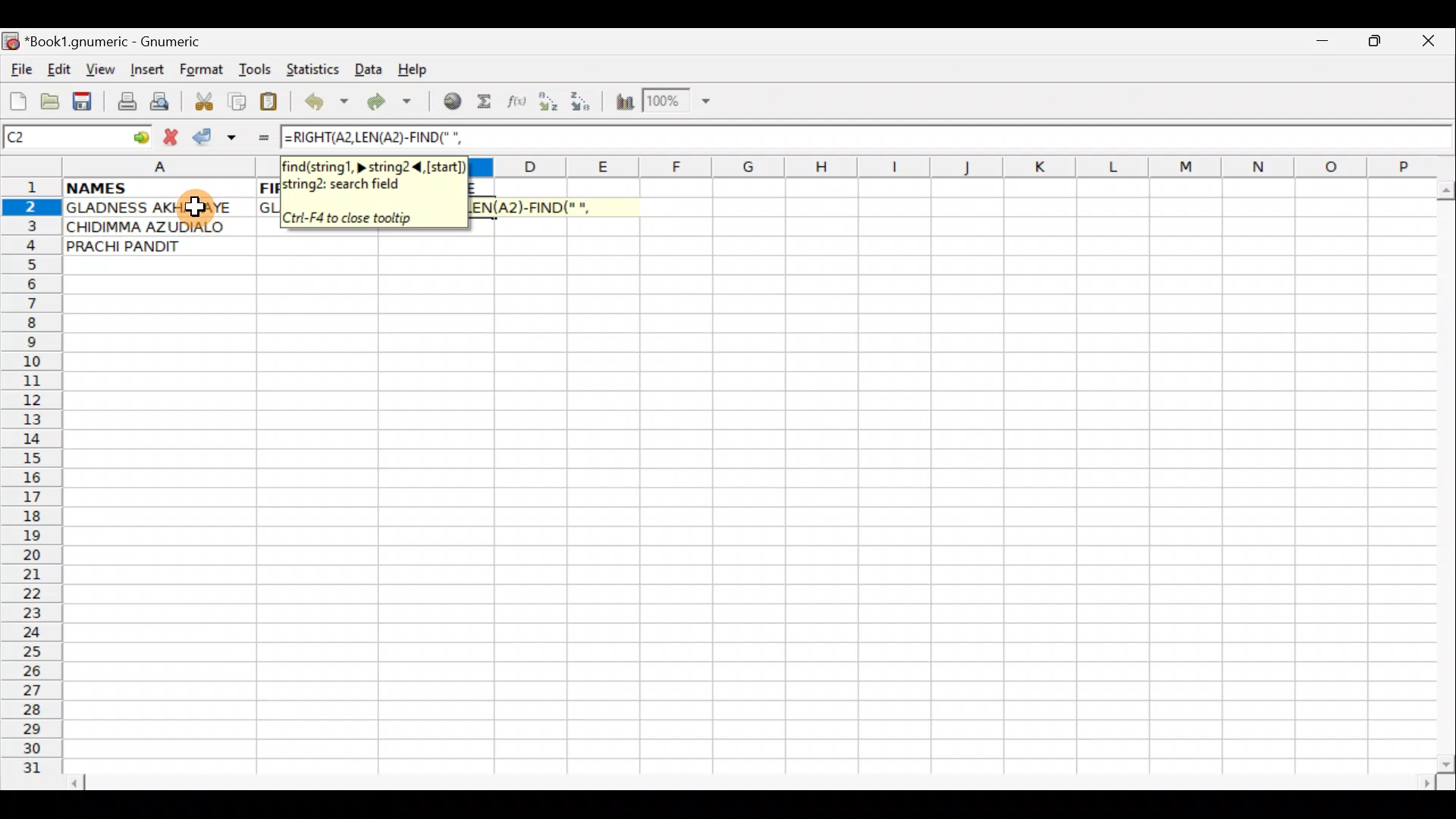 The width and height of the screenshot is (1456, 819). I want to click on find(string1, > string2 <, [start])string2: search field. Ctrl+F4 to close tooltip., so click(374, 193).